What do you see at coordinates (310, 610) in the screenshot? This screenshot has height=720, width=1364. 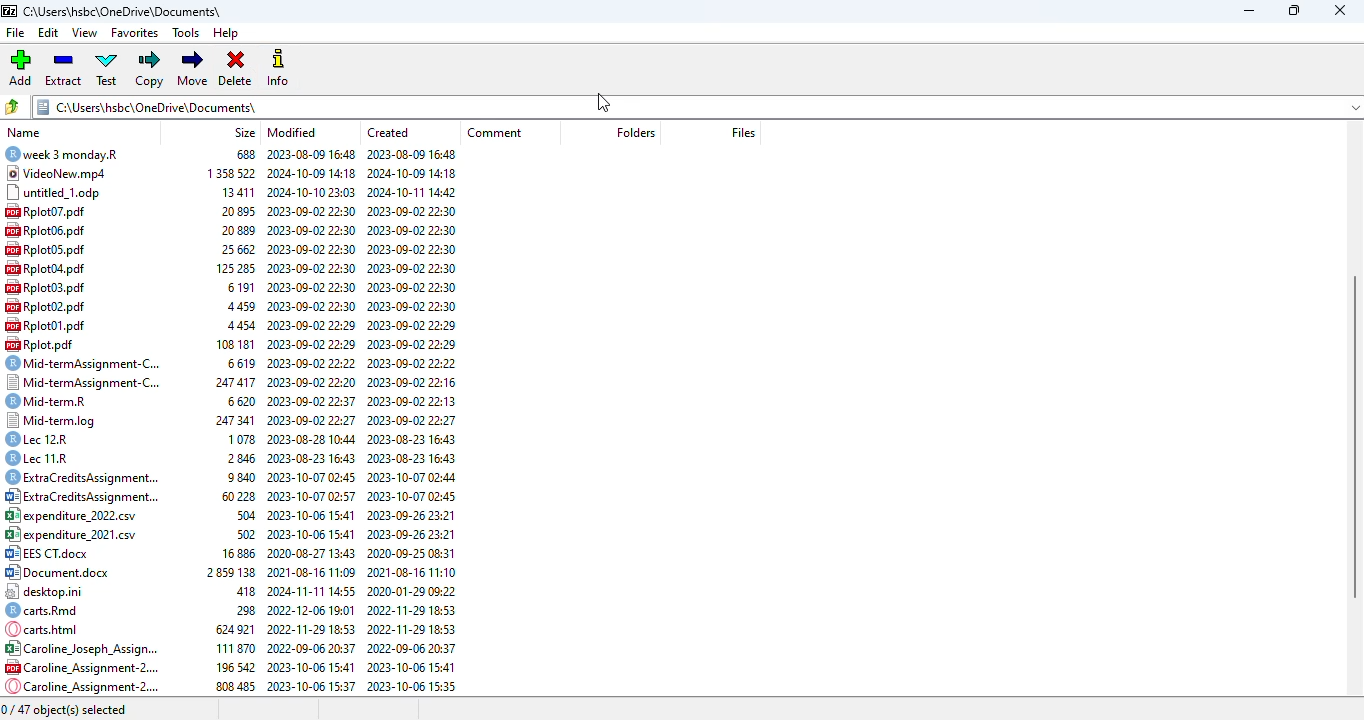 I see `2022-12-06 19:01` at bounding box center [310, 610].